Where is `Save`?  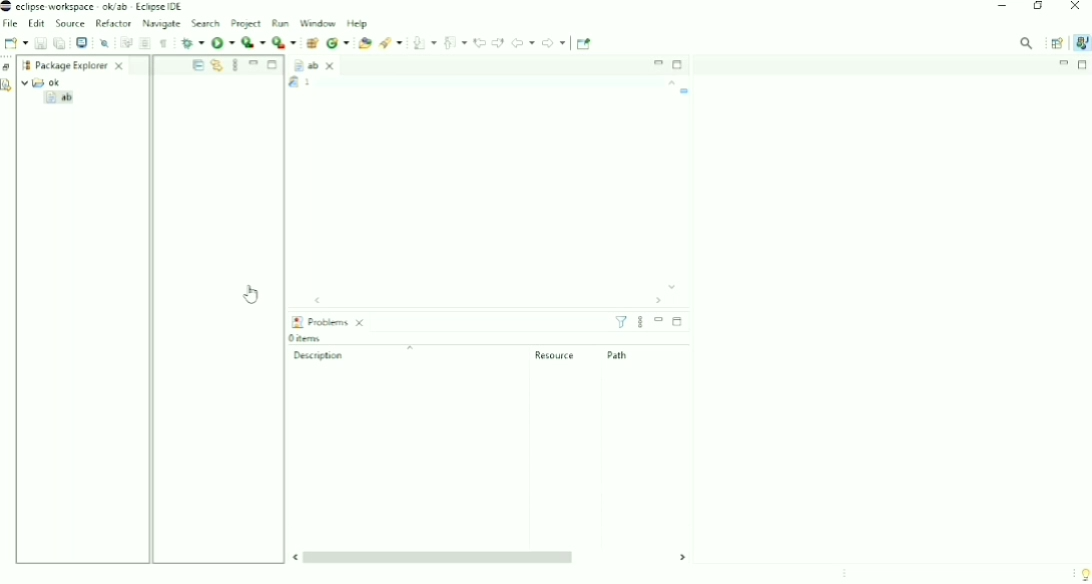
Save is located at coordinates (40, 43).